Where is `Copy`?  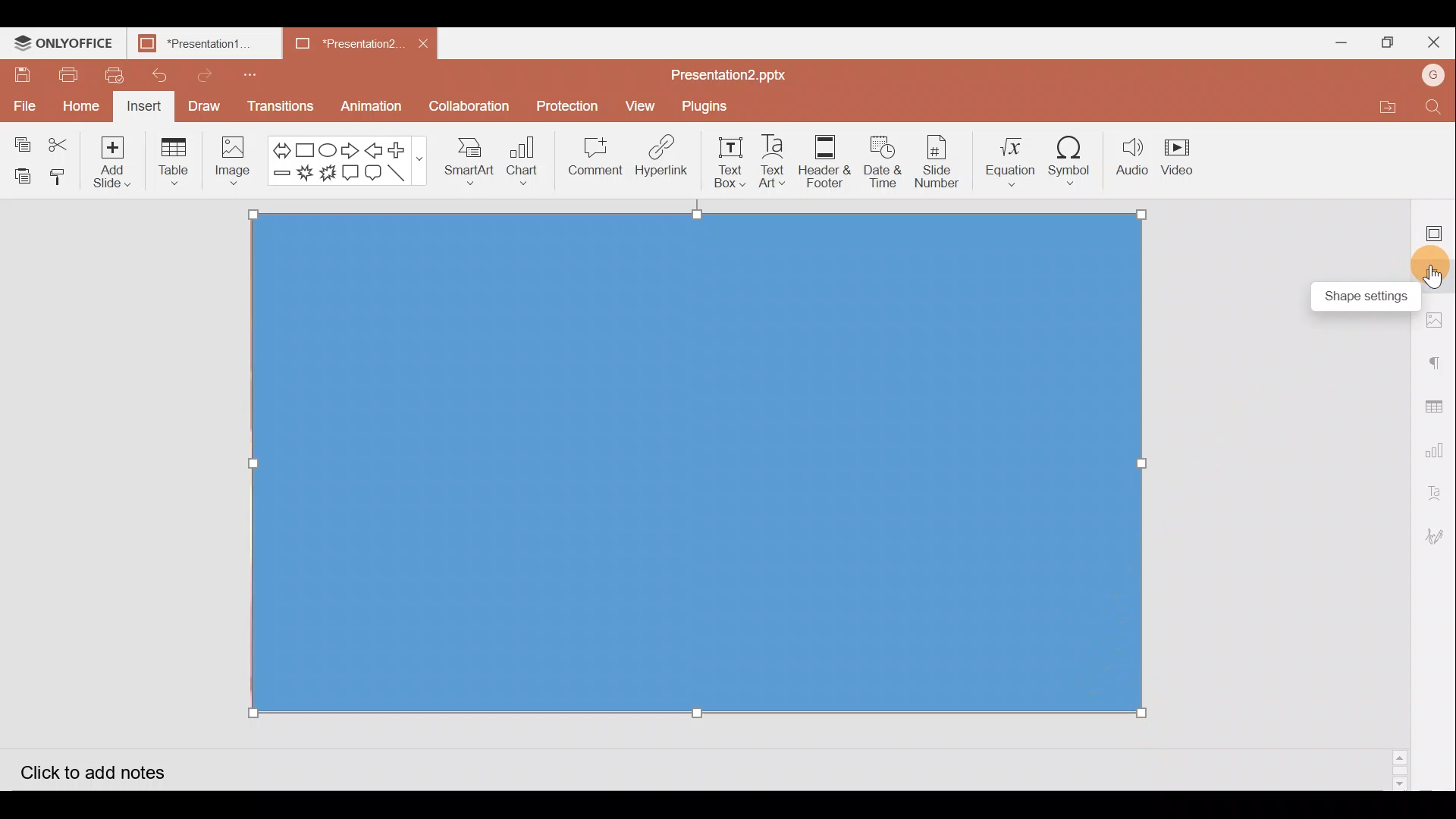 Copy is located at coordinates (21, 137).